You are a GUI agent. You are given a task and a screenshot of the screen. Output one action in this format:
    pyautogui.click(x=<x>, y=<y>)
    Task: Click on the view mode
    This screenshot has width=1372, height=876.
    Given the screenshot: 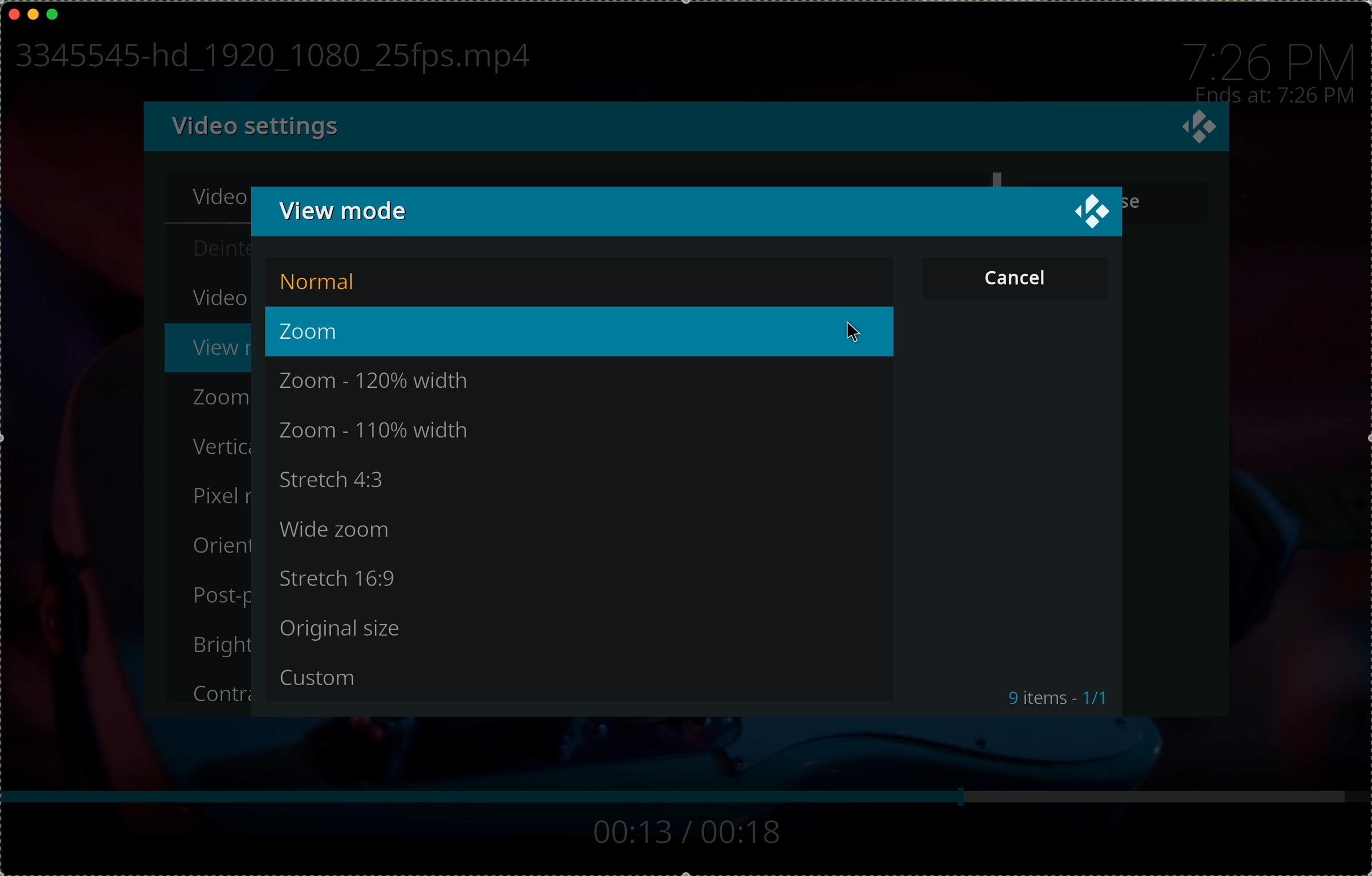 What is the action you would take?
    pyautogui.click(x=345, y=211)
    